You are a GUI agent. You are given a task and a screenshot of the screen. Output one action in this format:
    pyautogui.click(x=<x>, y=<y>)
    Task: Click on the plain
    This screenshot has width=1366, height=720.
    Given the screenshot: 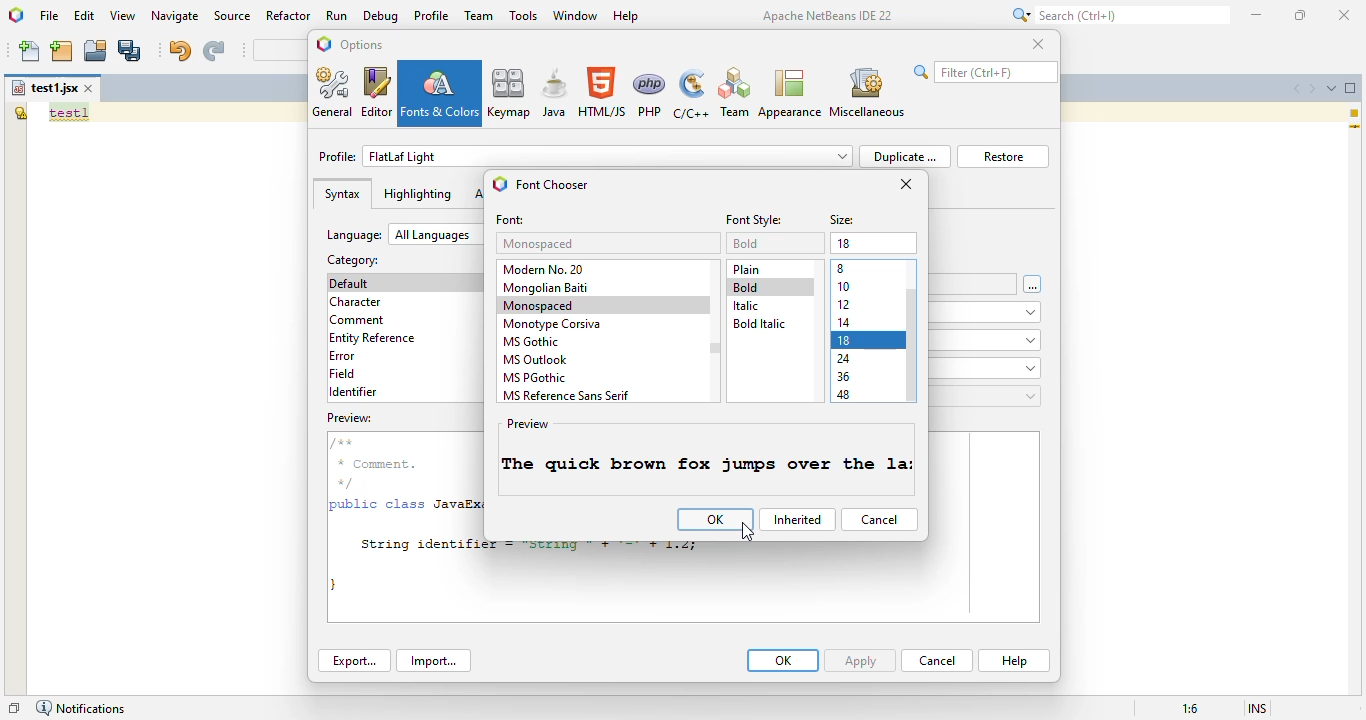 What is the action you would take?
    pyautogui.click(x=746, y=243)
    